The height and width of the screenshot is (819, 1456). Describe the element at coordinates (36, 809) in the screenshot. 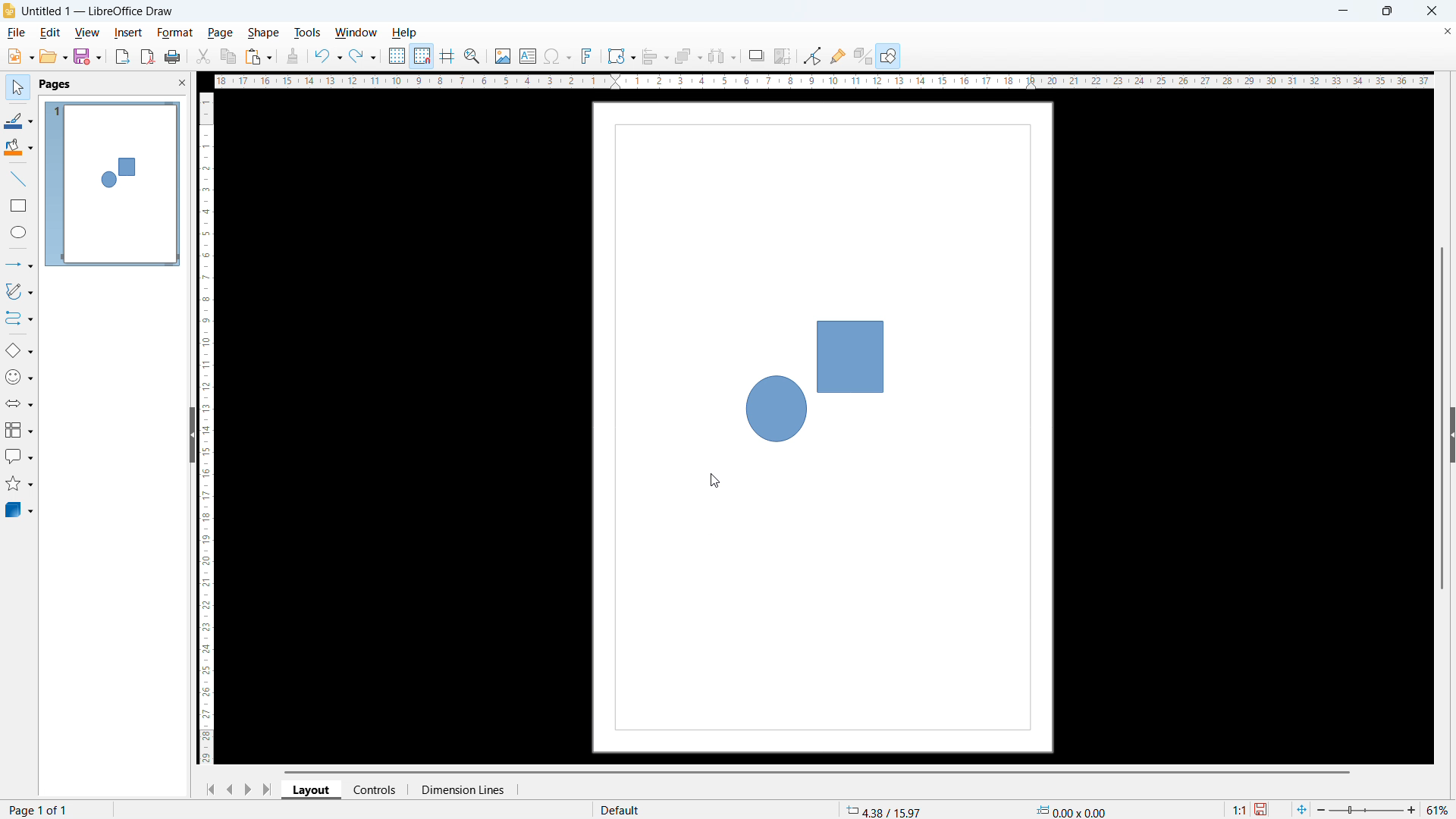

I see `page number` at that location.